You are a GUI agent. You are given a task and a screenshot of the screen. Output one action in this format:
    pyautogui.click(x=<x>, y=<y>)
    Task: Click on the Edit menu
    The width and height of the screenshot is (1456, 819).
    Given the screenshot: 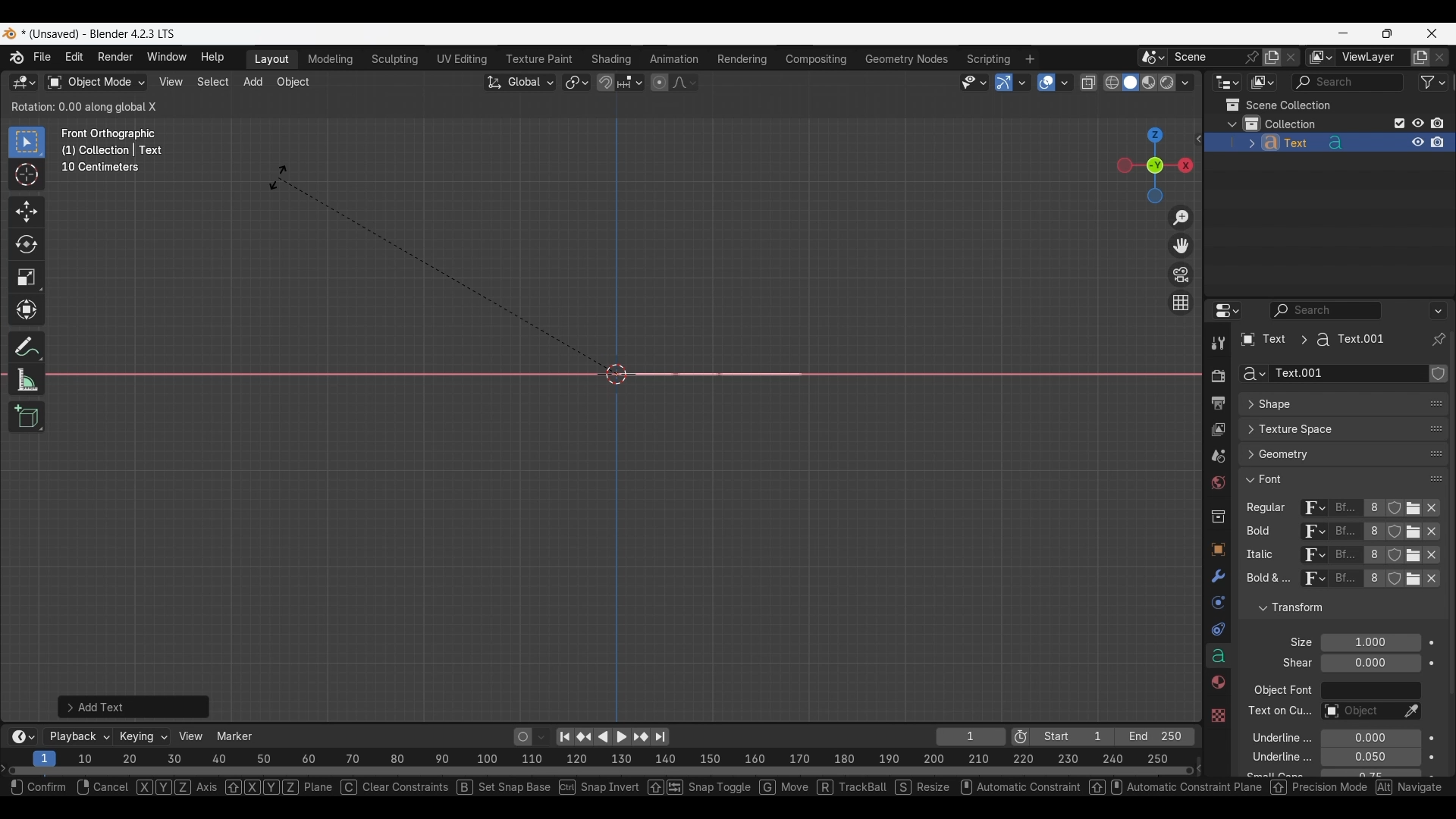 What is the action you would take?
    pyautogui.click(x=74, y=58)
    